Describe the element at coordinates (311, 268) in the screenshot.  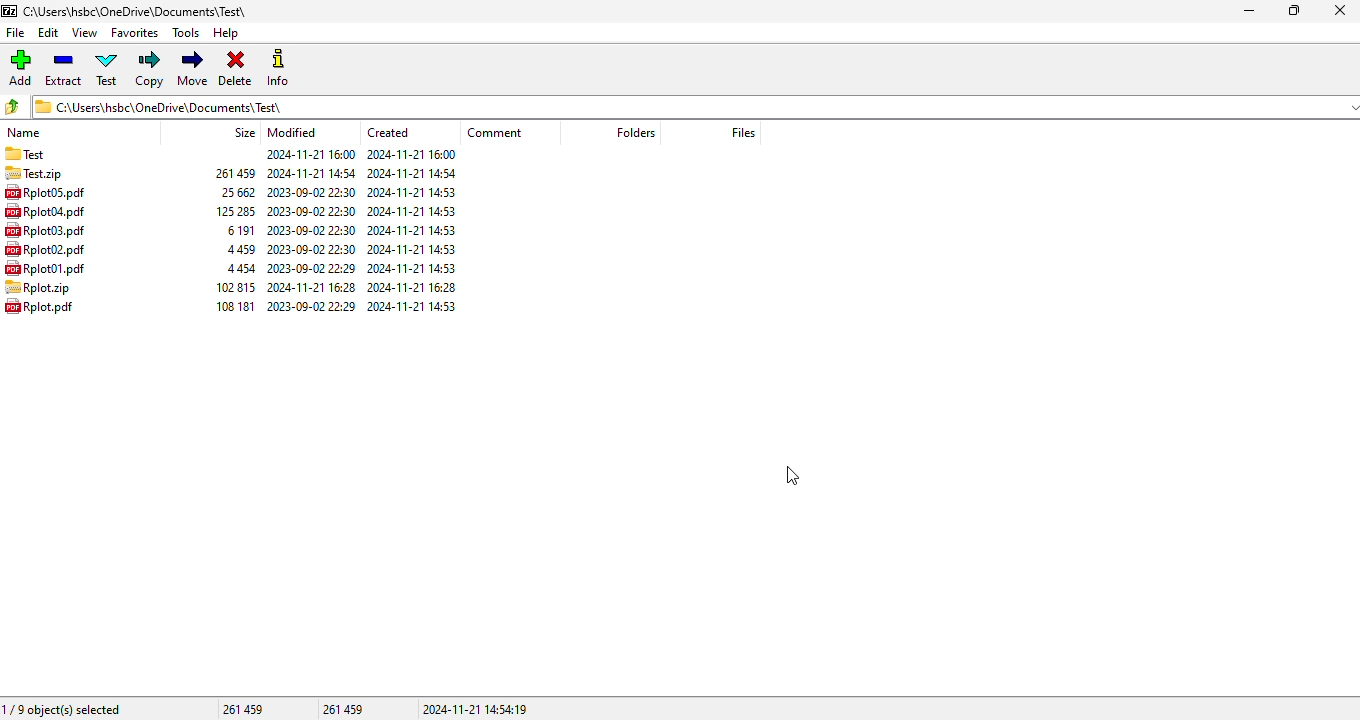
I see `modified date & time` at that location.